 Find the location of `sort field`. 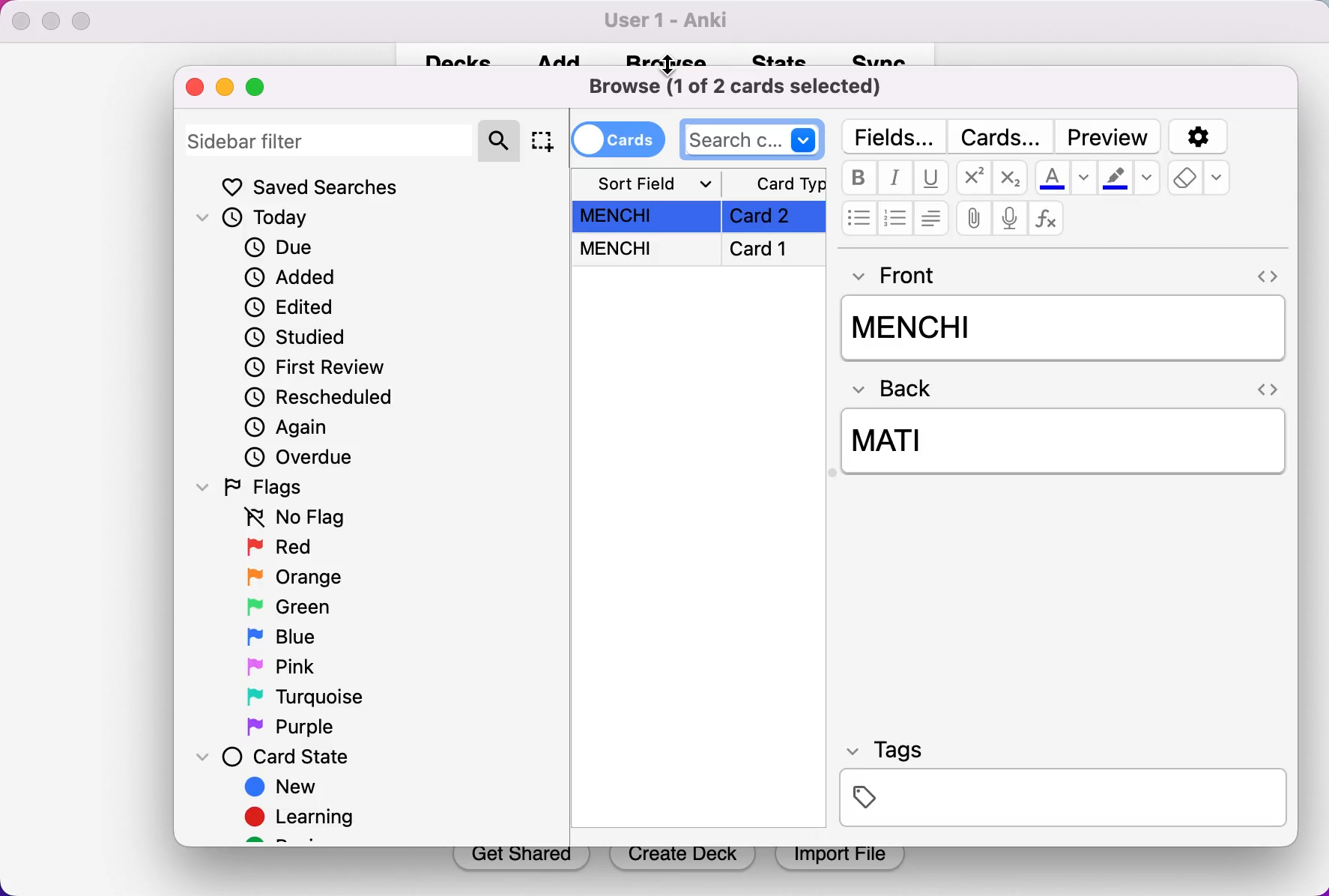

sort field is located at coordinates (648, 183).